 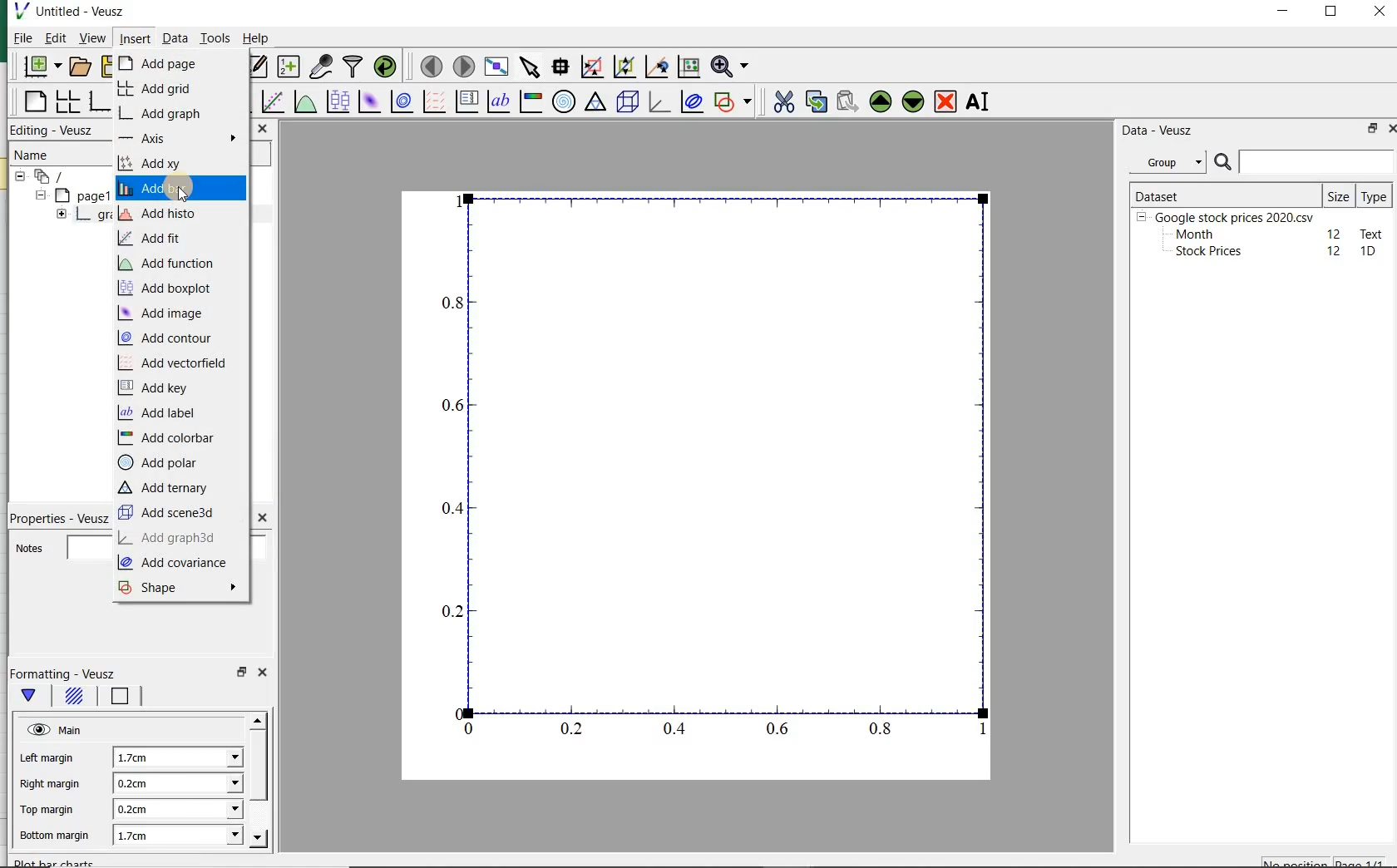 What do you see at coordinates (181, 189) in the screenshot?
I see `add bar` at bounding box center [181, 189].